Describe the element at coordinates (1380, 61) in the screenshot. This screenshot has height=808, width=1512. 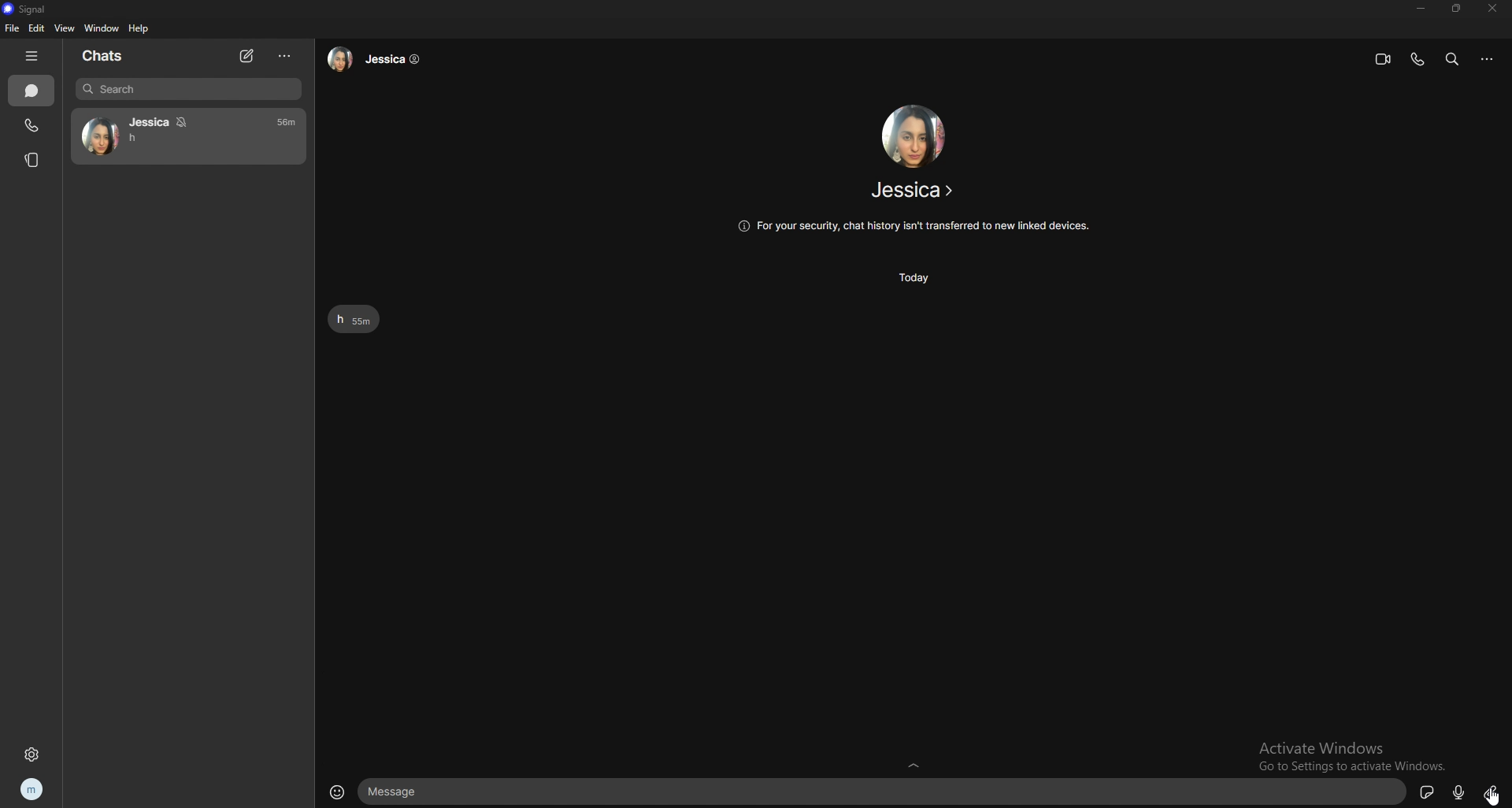
I see `video call` at that location.